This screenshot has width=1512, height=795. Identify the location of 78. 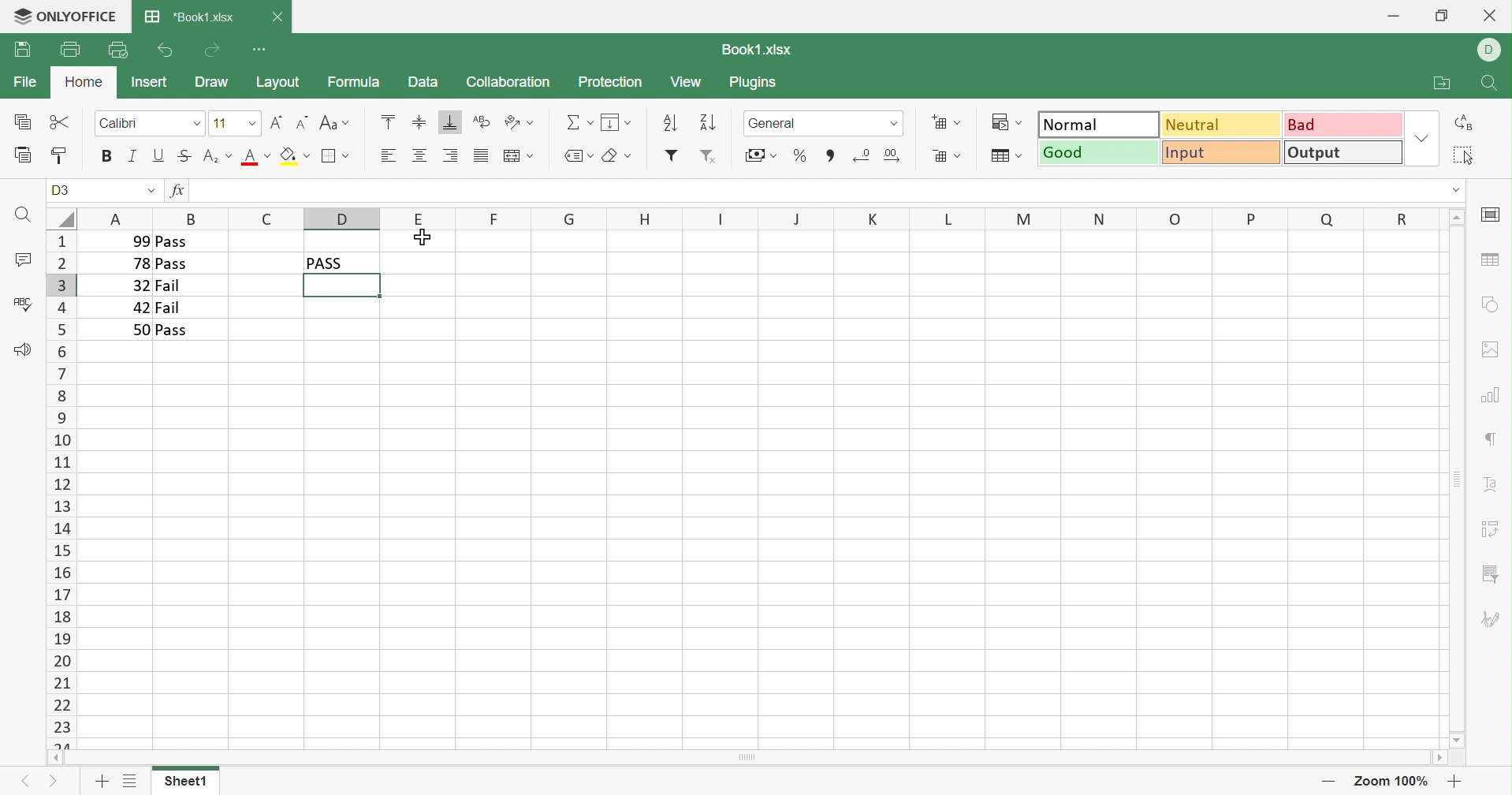
(139, 264).